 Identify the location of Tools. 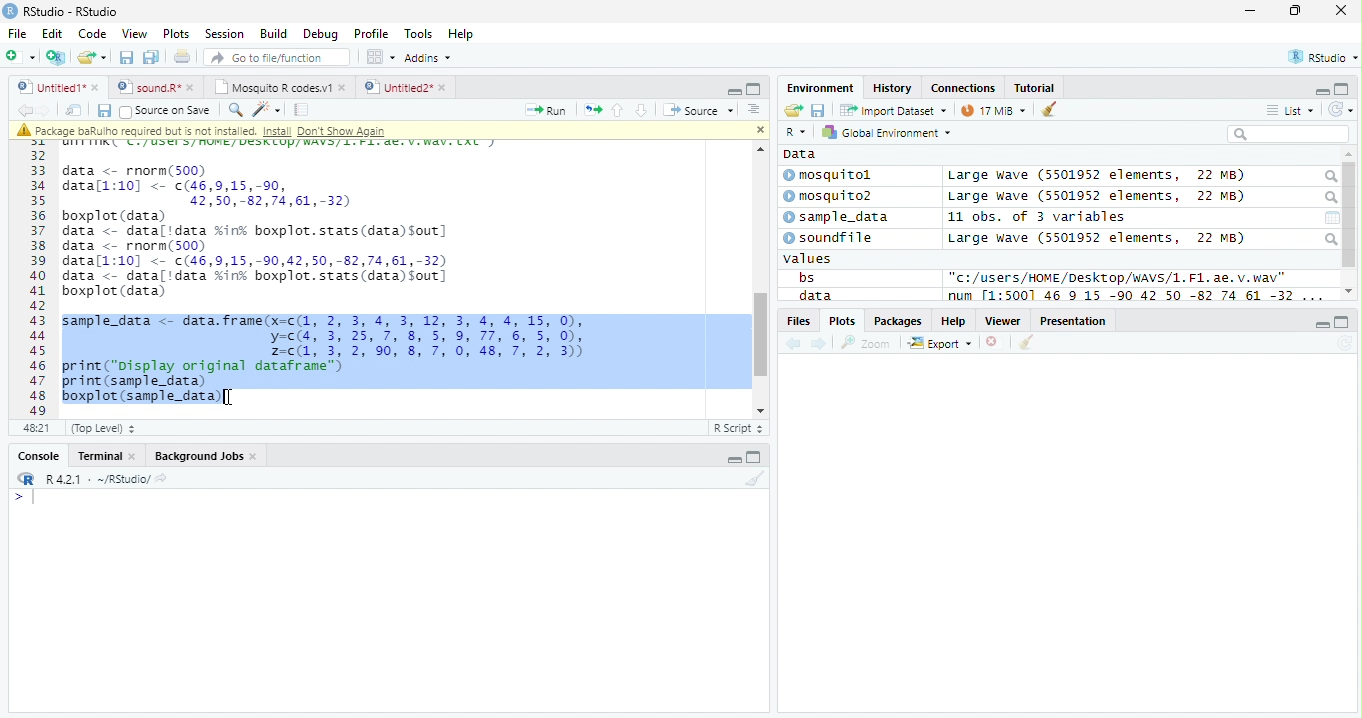
(418, 35).